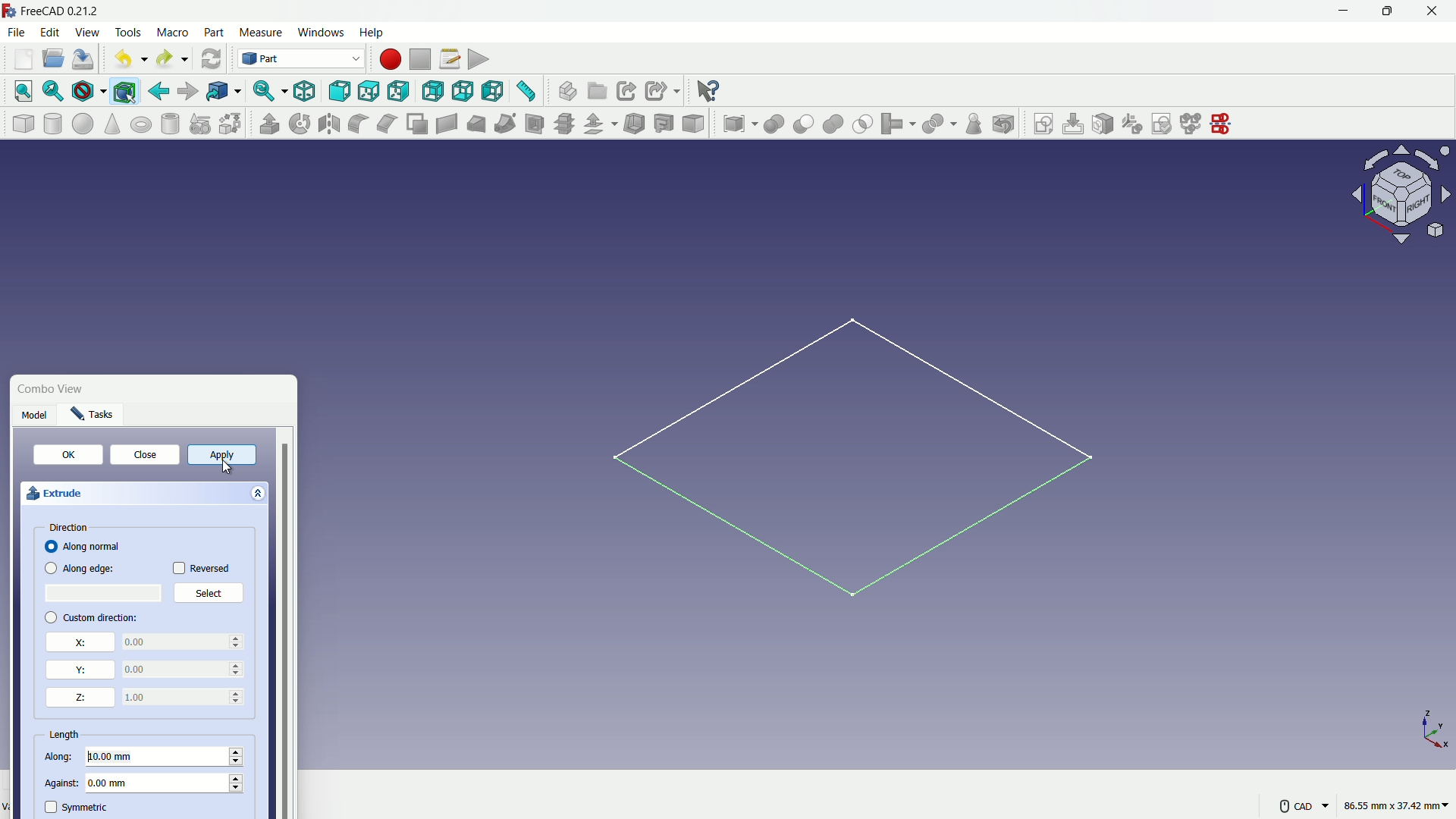 The width and height of the screenshot is (1456, 819). I want to click on part, so click(214, 32).